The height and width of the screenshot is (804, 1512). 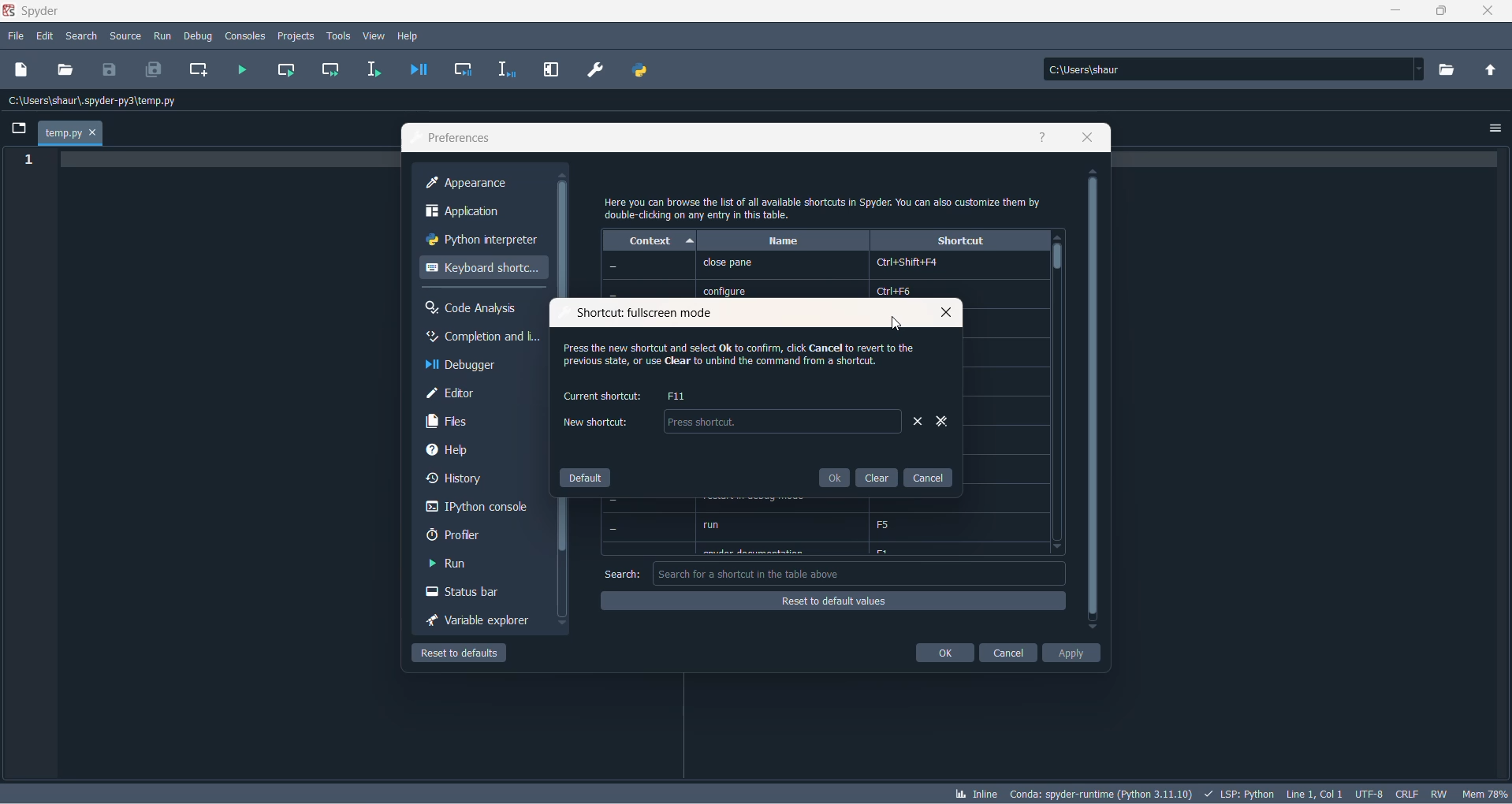 What do you see at coordinates (945, 653) in the screenshot?
I see `ok` at bounding box center [945, 653].